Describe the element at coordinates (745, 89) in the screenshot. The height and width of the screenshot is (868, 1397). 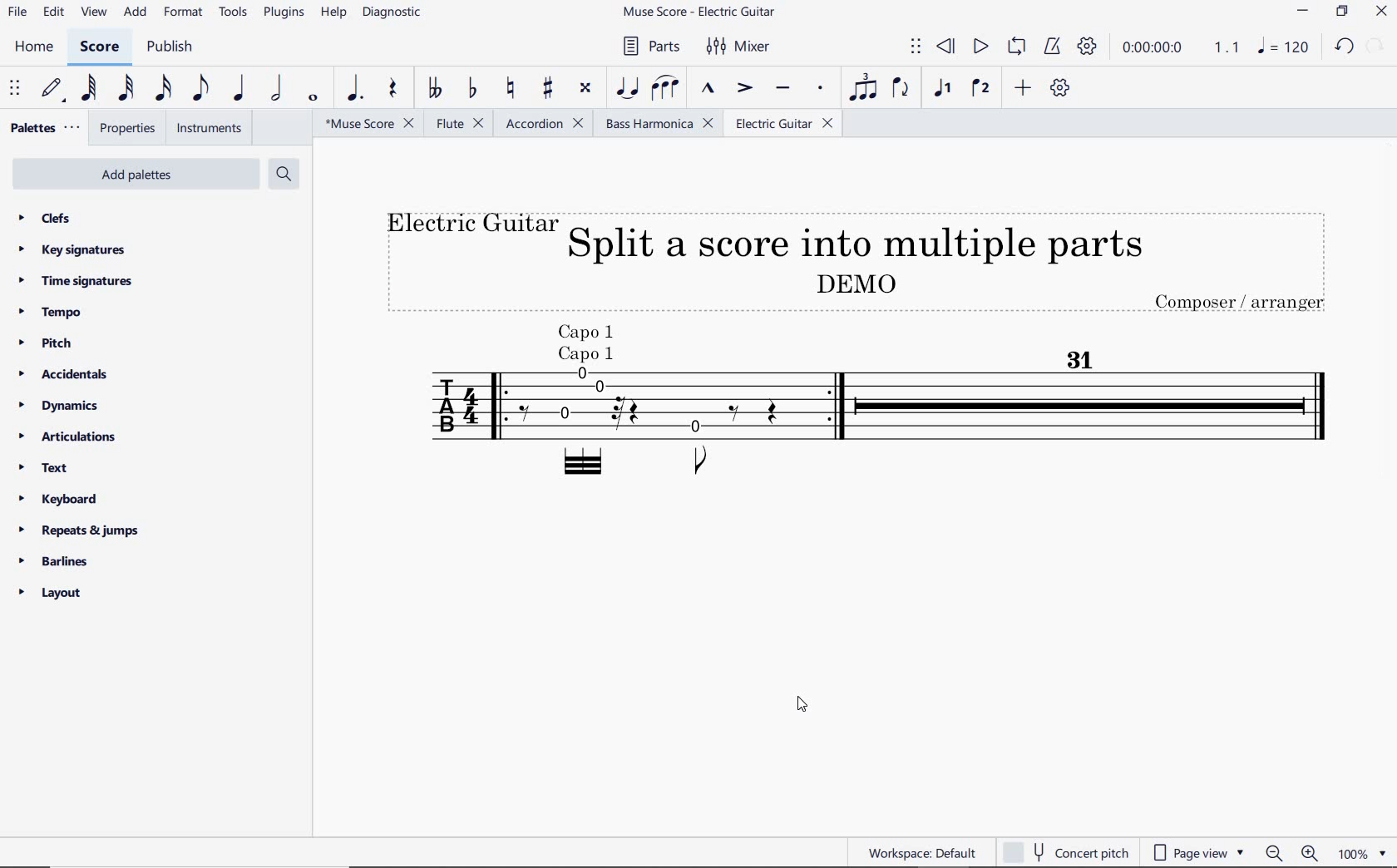
I see `accent` at that location.